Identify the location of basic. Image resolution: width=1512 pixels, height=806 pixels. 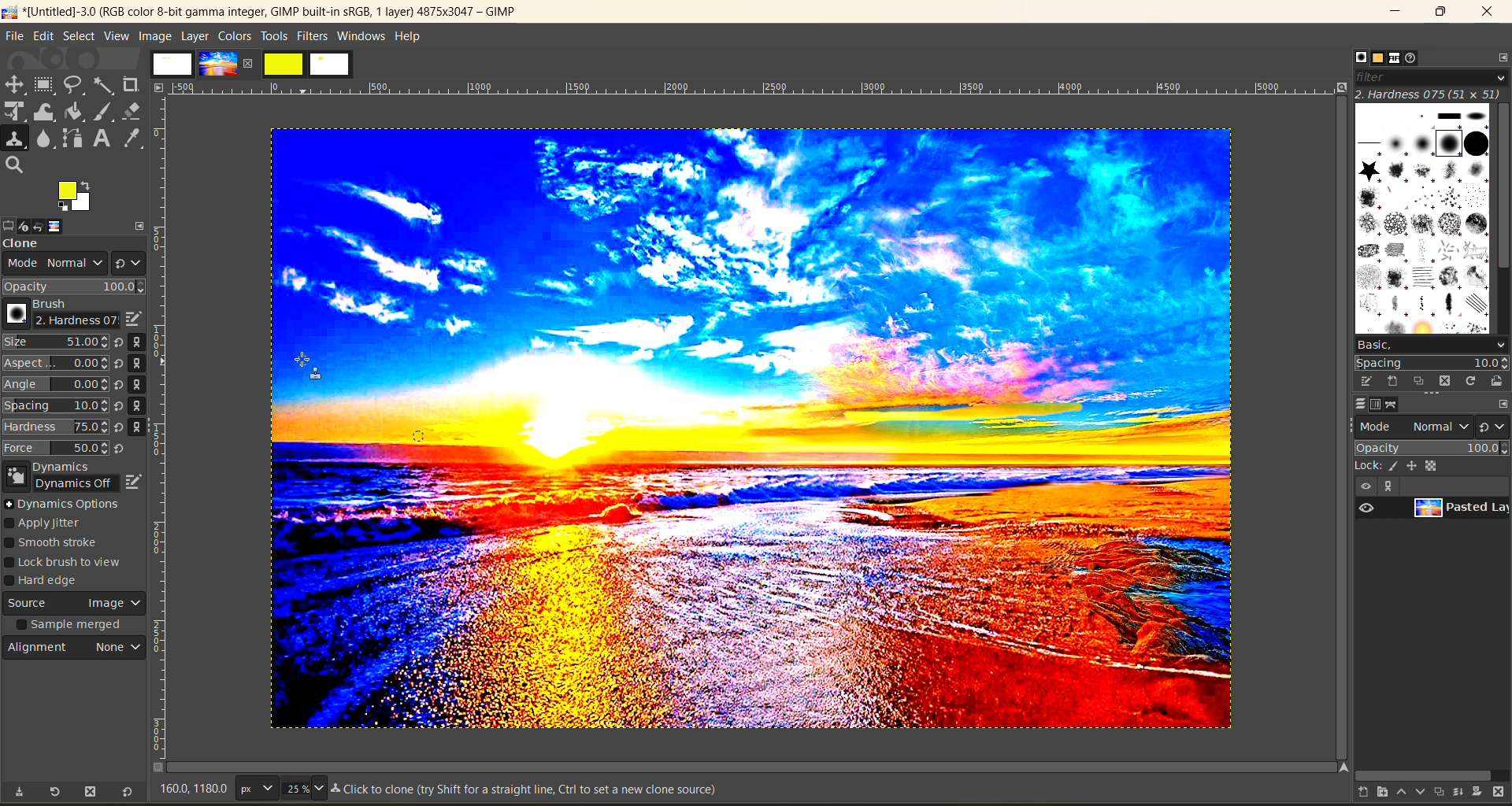
(1430, 344).